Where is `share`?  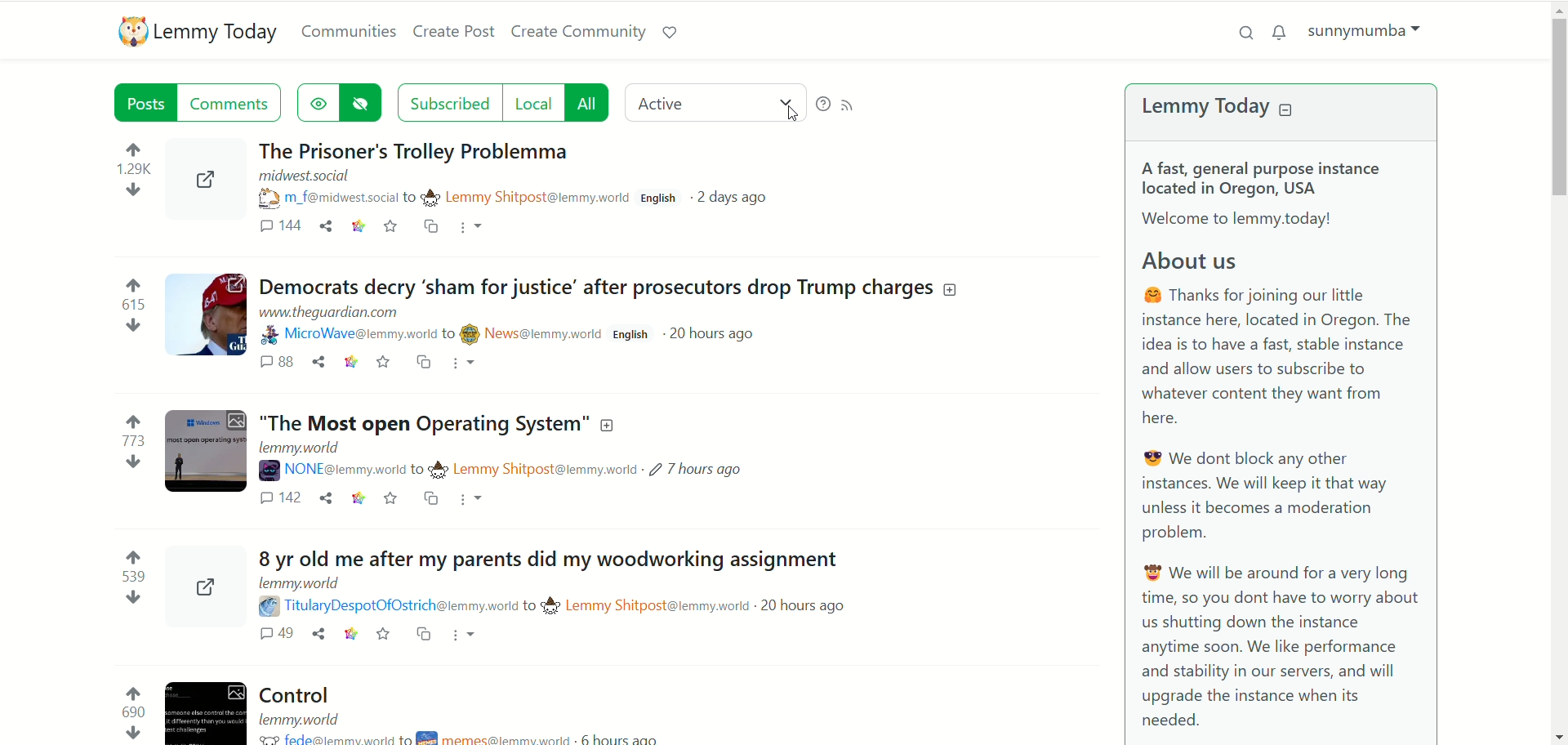
share is located at coordinates (323, 502).